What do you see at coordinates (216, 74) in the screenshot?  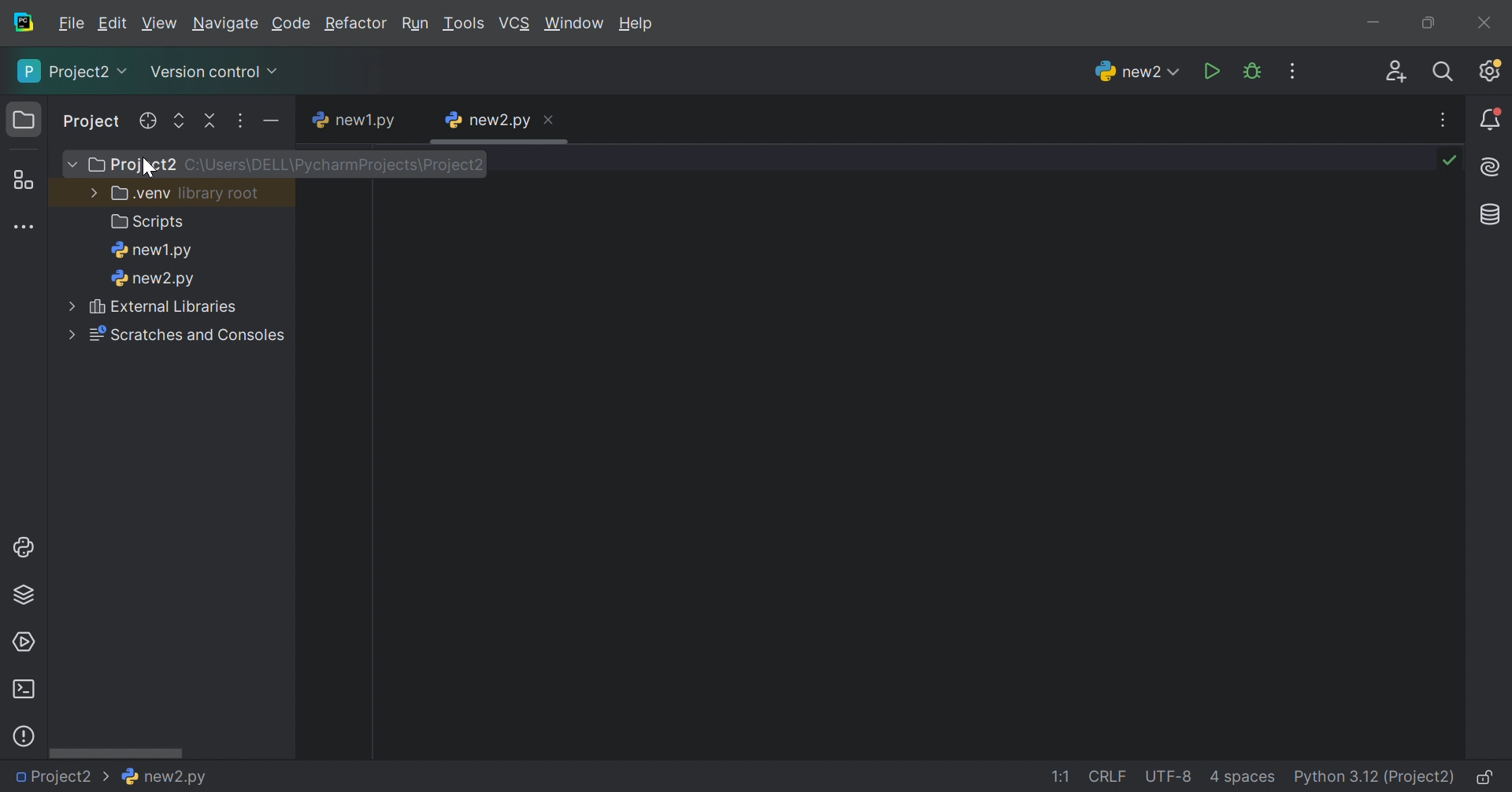 I see `Version control` at bounding box center [216, 74].